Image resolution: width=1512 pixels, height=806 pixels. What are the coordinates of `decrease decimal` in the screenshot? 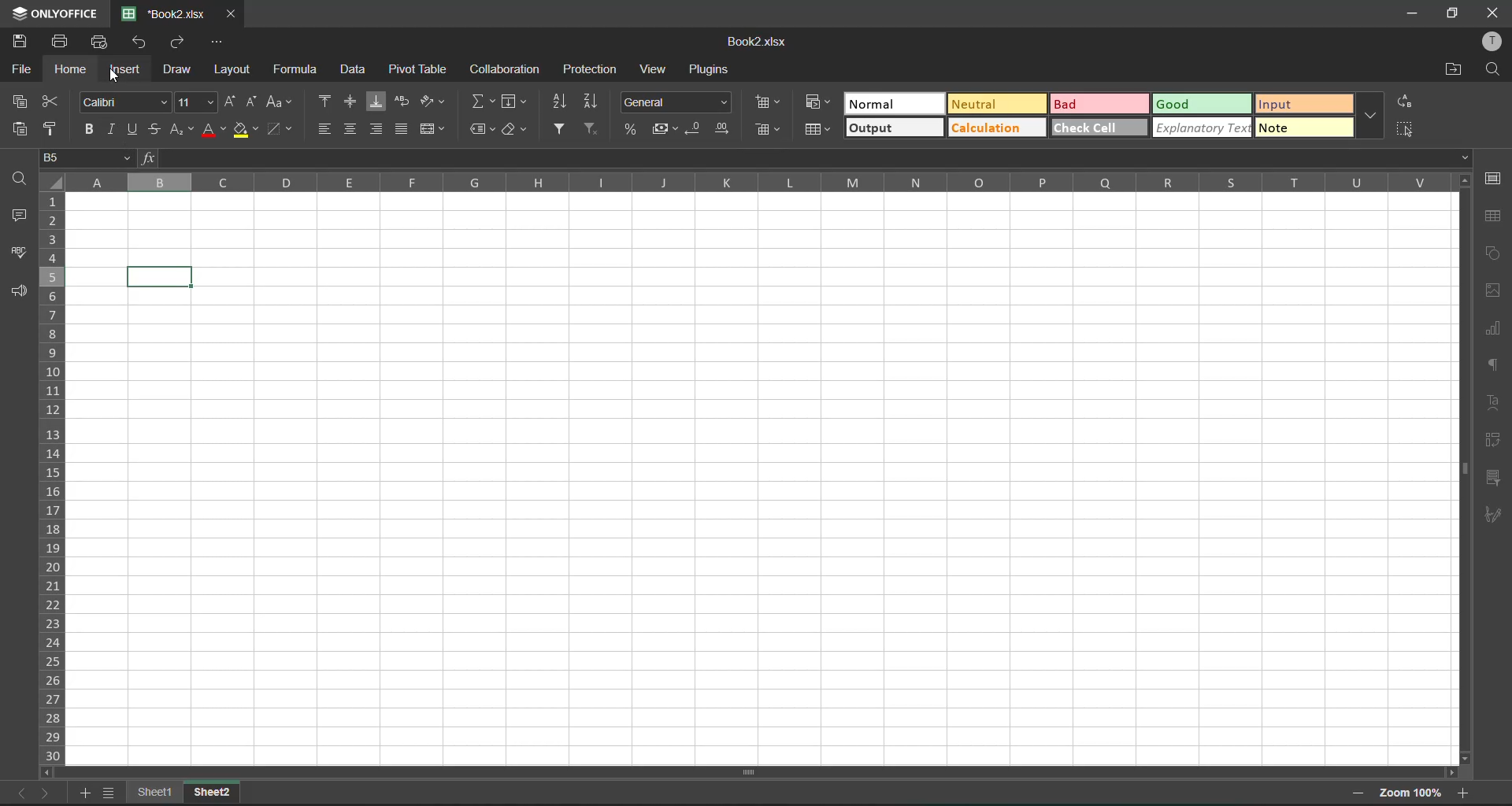 It's located at (695, 130).